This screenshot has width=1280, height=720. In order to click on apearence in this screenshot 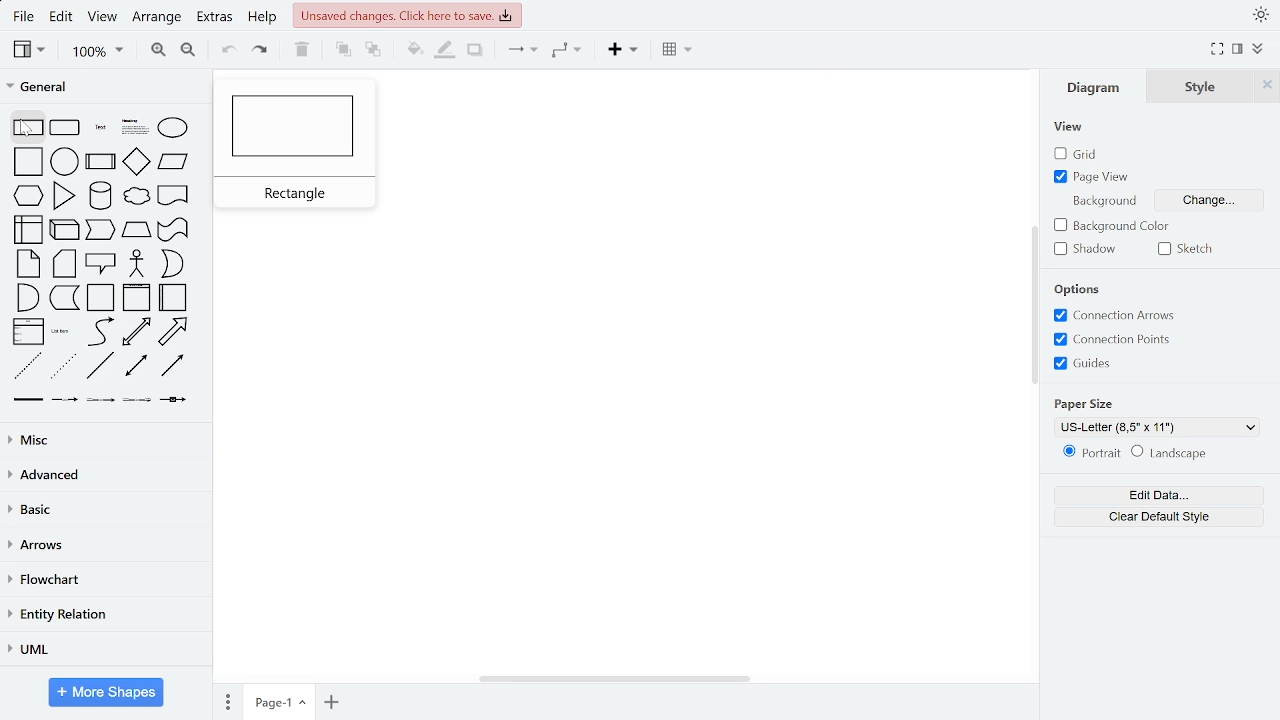, I will do `click(1261, 15)`.